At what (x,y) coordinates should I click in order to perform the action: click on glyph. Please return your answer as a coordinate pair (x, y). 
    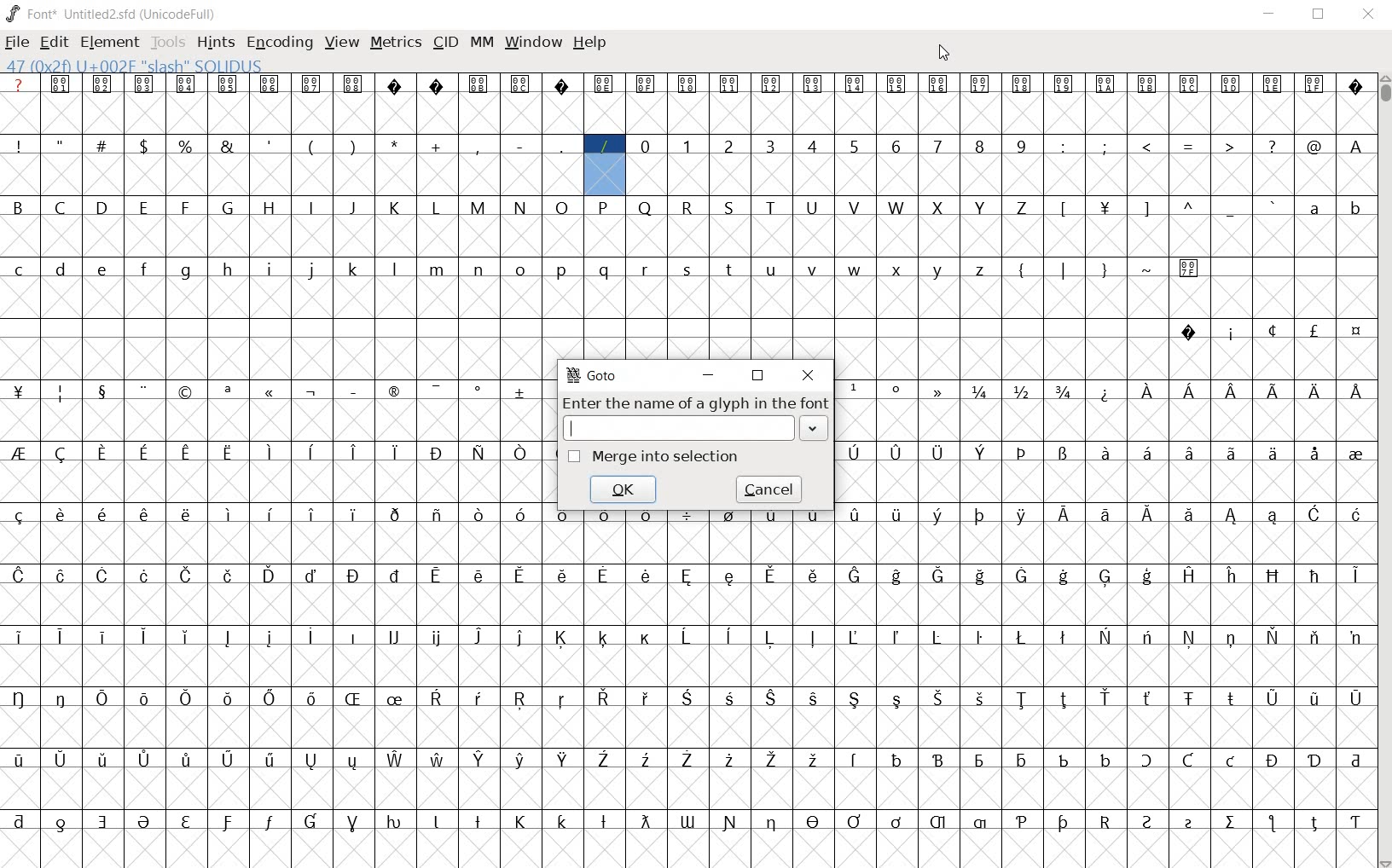
    Looking at the image, I should click on (1145, 760).